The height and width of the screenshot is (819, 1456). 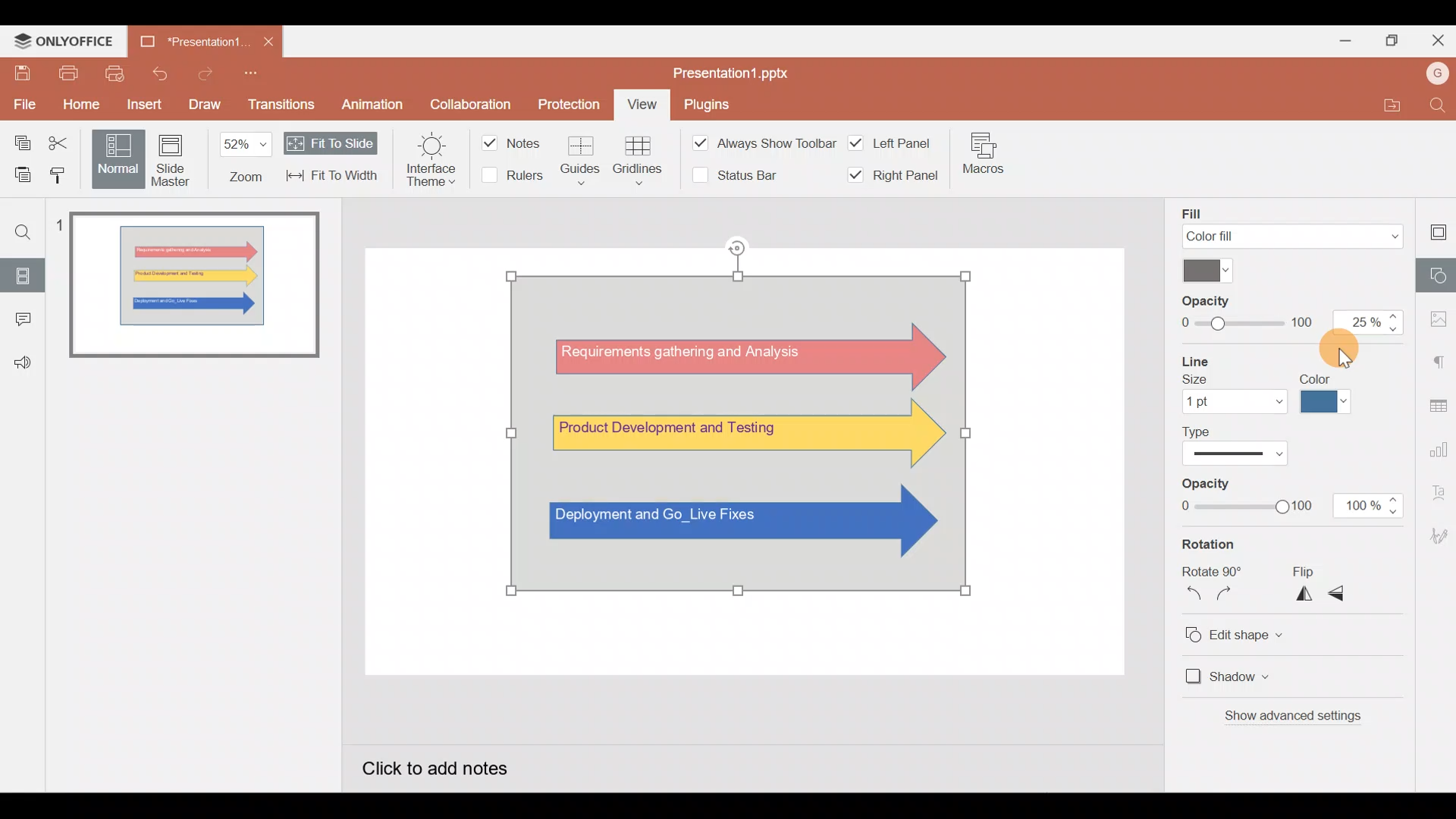 I want to click on Undo, so click(x=162, y=72).